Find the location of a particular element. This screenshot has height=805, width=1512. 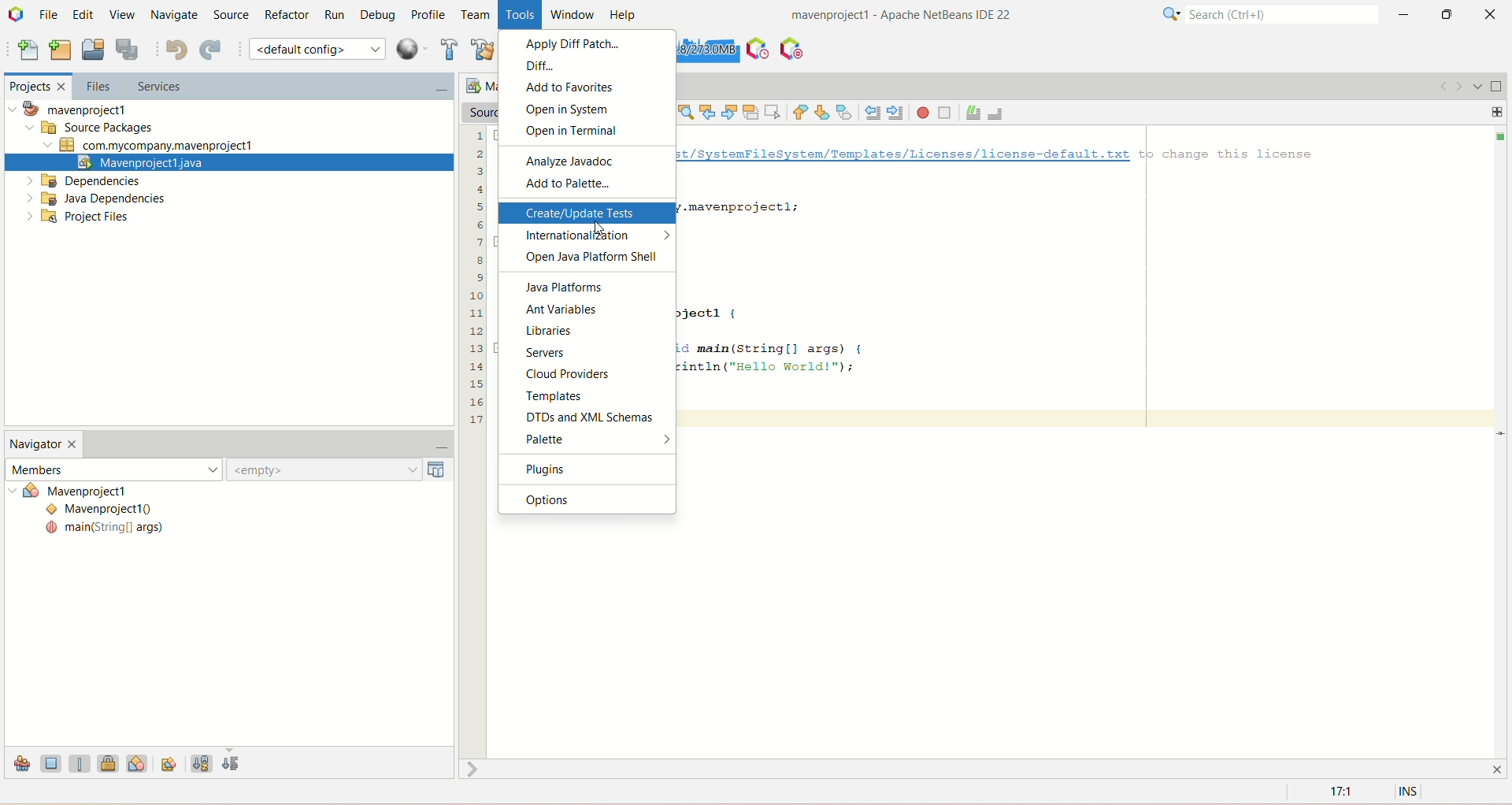

show inner classes is located at coordinates (138, 762).